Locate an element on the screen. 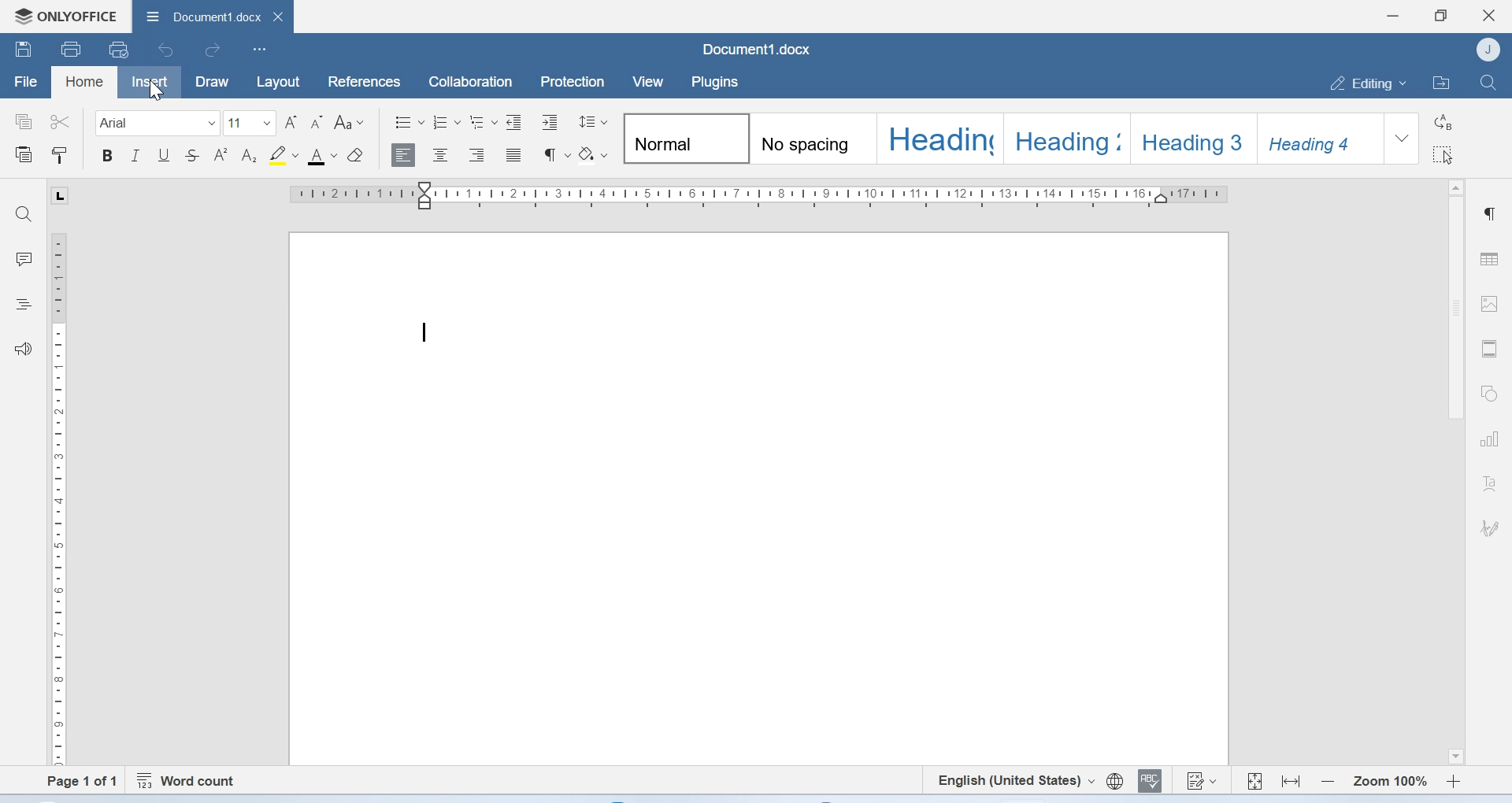 This screenshot has width=1512, height=803. Comments is located at coordinates (24, 259).